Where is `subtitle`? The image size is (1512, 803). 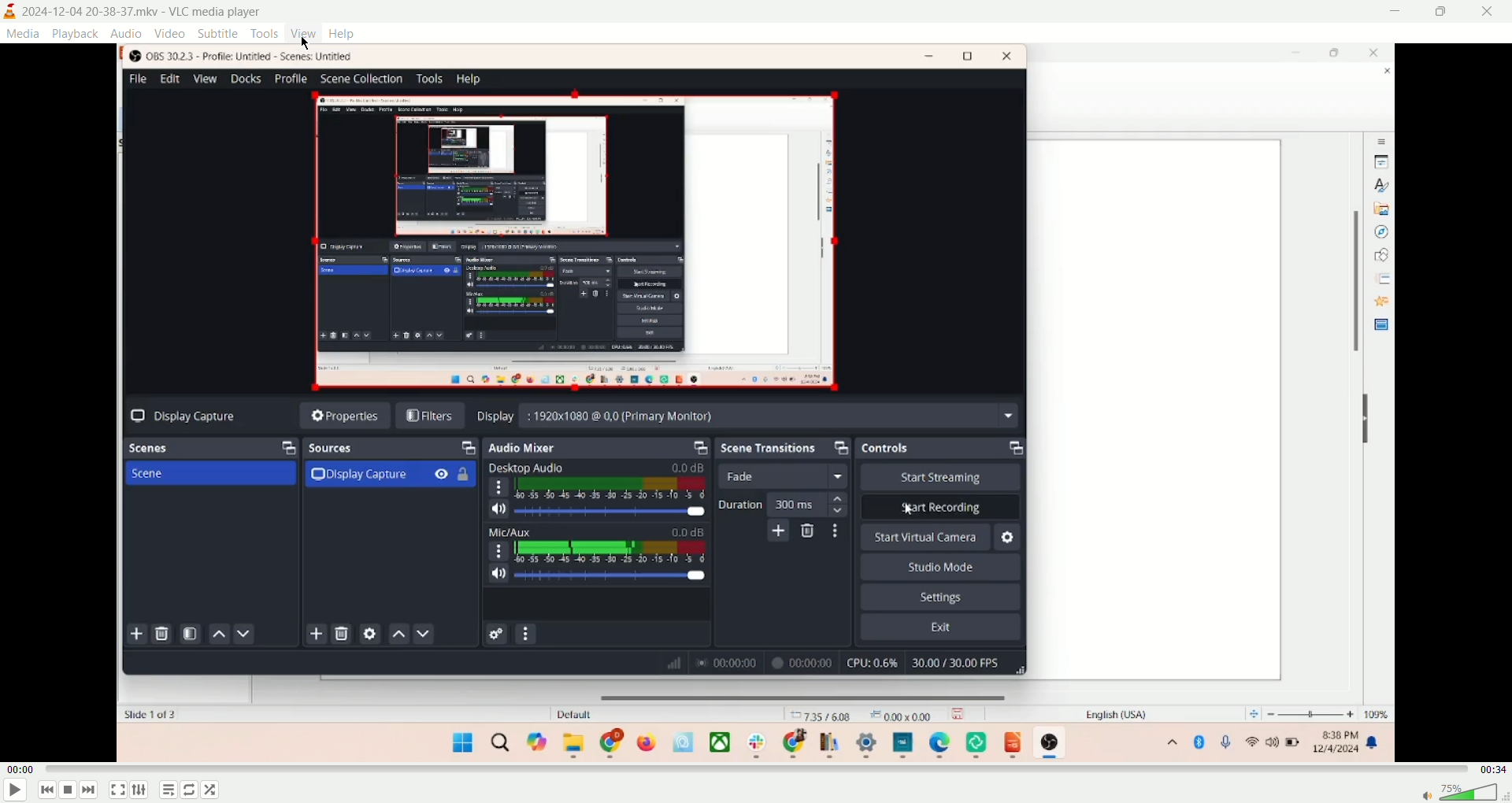 subtitle is located at coordinates (217, 32).